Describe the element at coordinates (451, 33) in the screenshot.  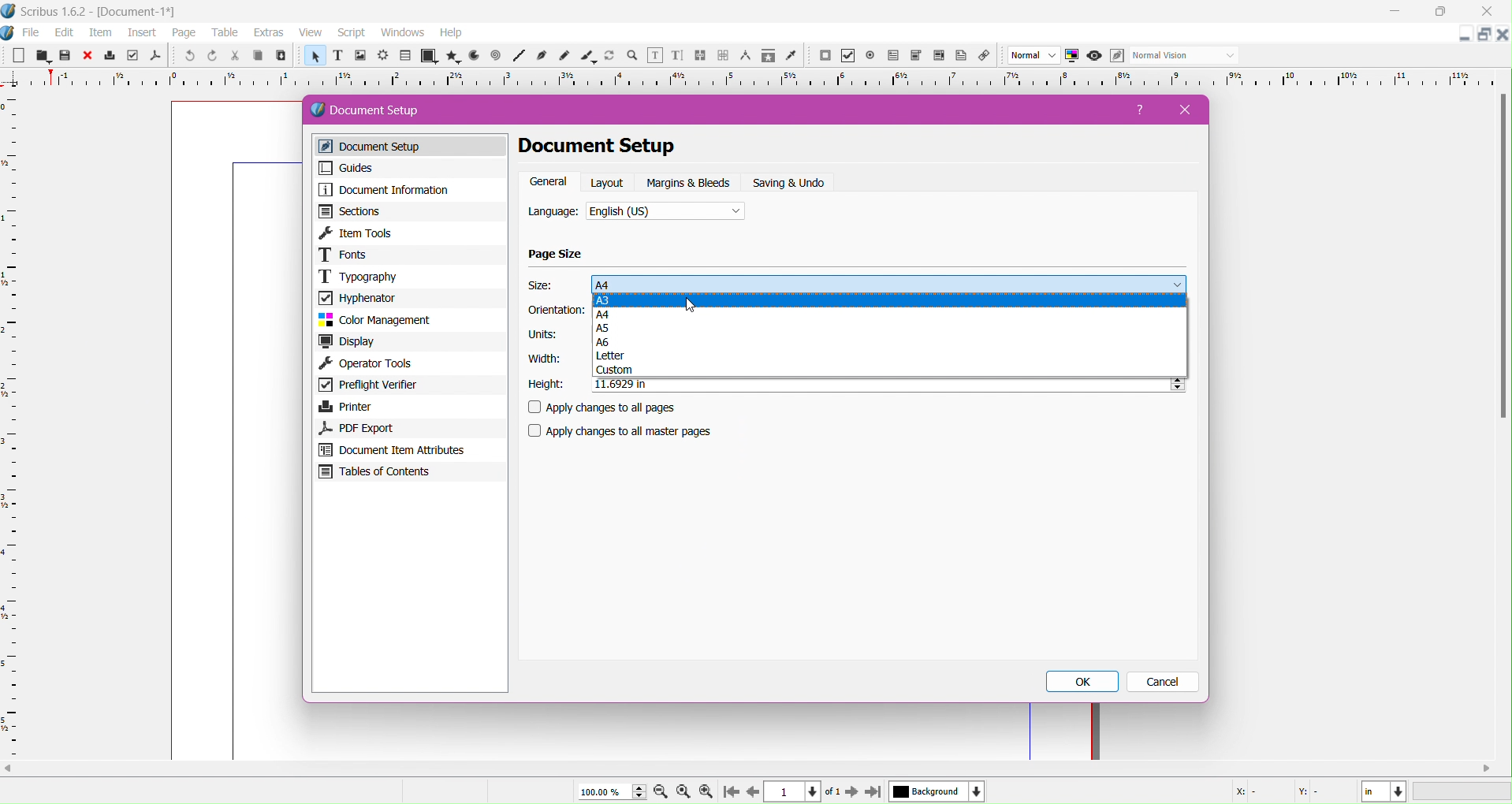
I see `help menu` at that location.